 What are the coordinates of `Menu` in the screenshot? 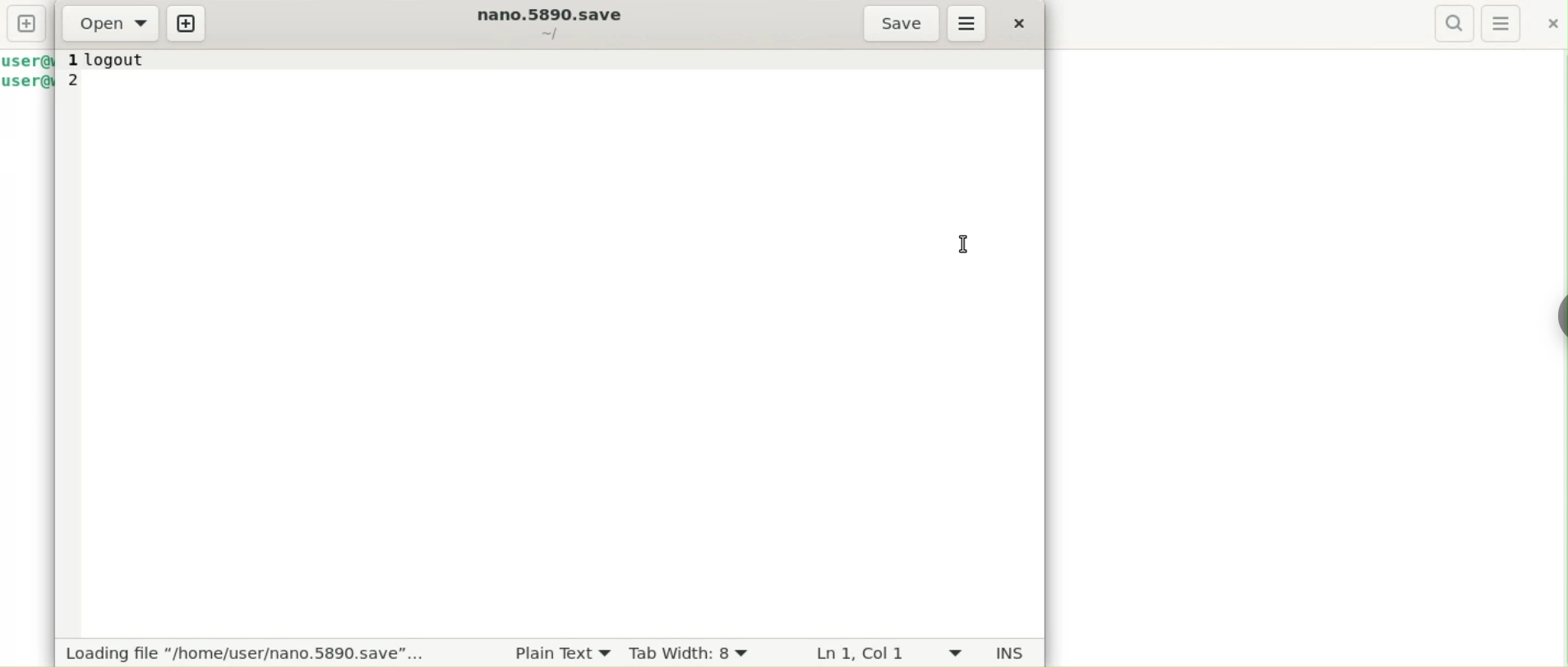 It's located at (970, 24).